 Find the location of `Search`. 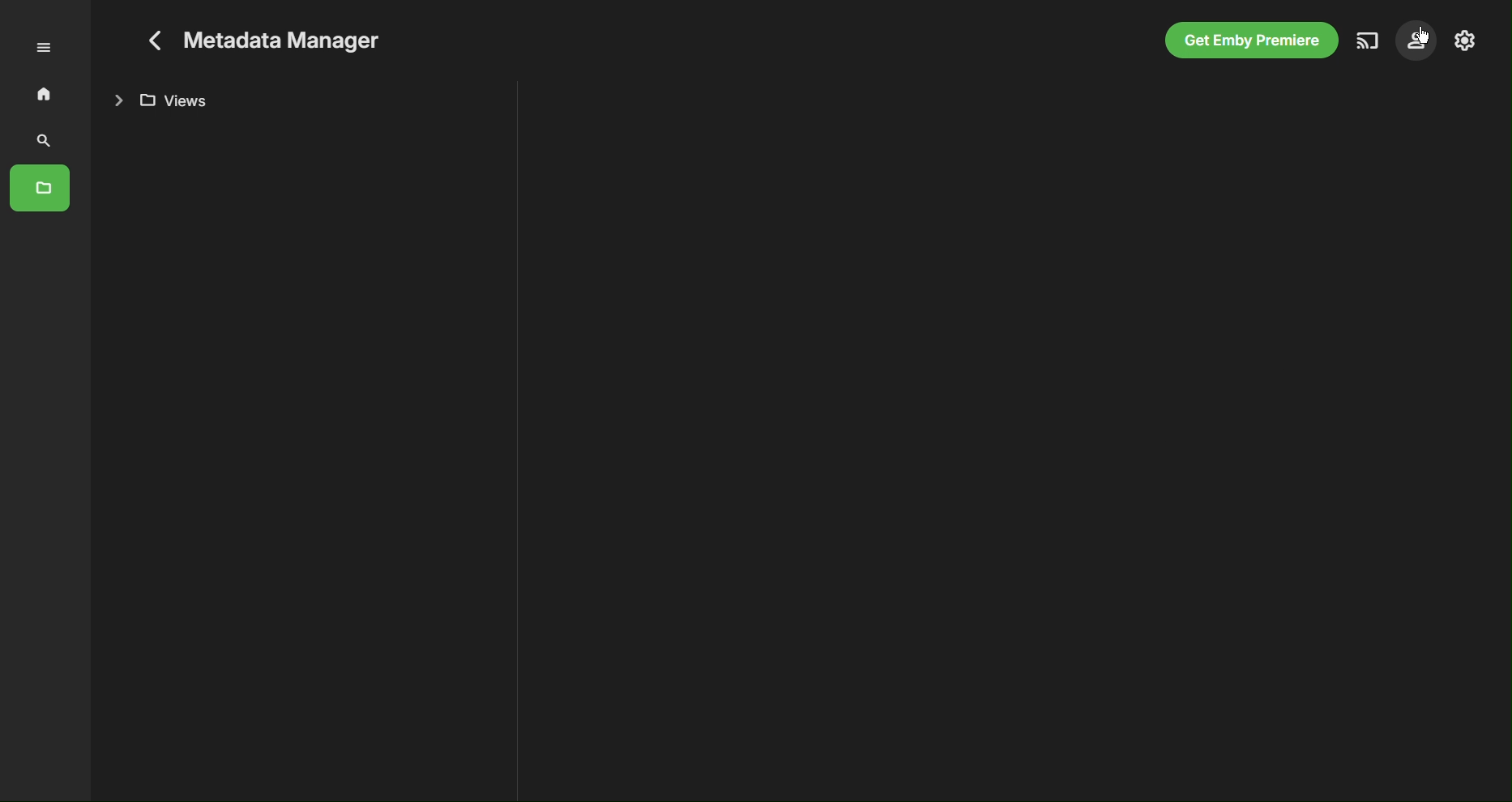

Search is located at coordinates (43, 140).